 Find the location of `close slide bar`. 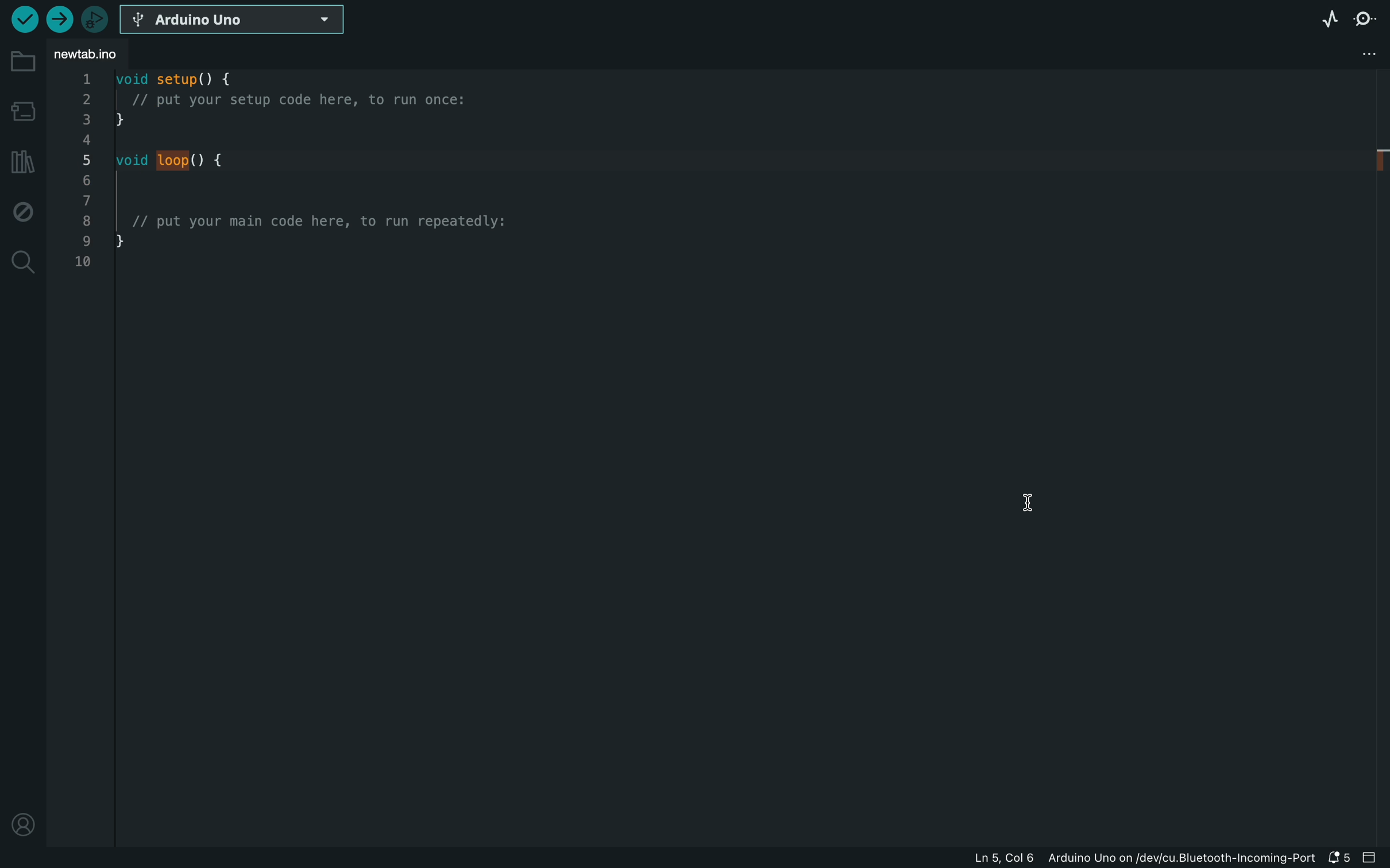

close slide bar is located at coordinates (1373, 856).